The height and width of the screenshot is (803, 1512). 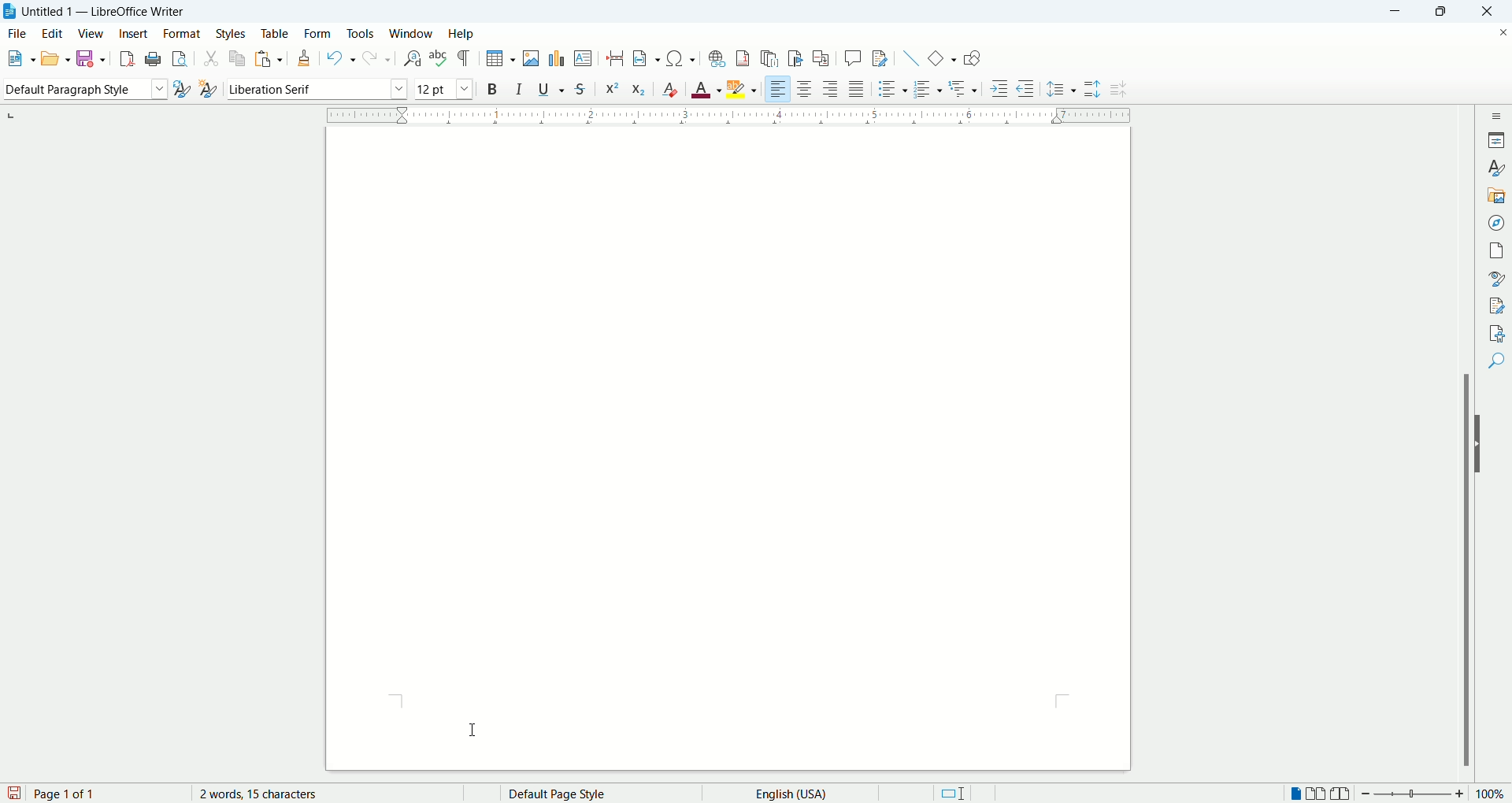 I want to click on cut, so click(x=211, y=60).